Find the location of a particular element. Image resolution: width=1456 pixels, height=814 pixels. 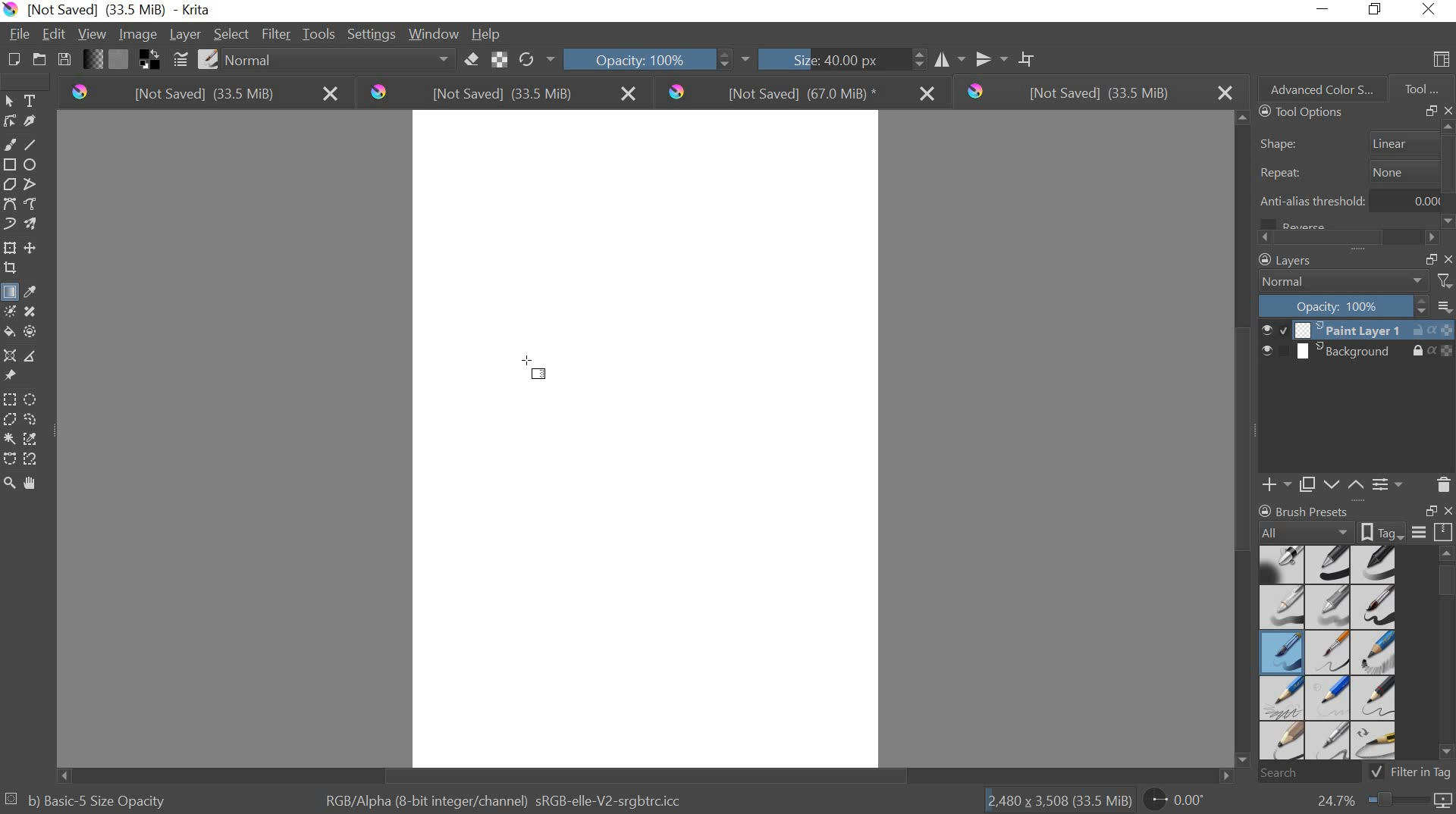

RESTORE DOWN is located at coordinates (1430, 111).